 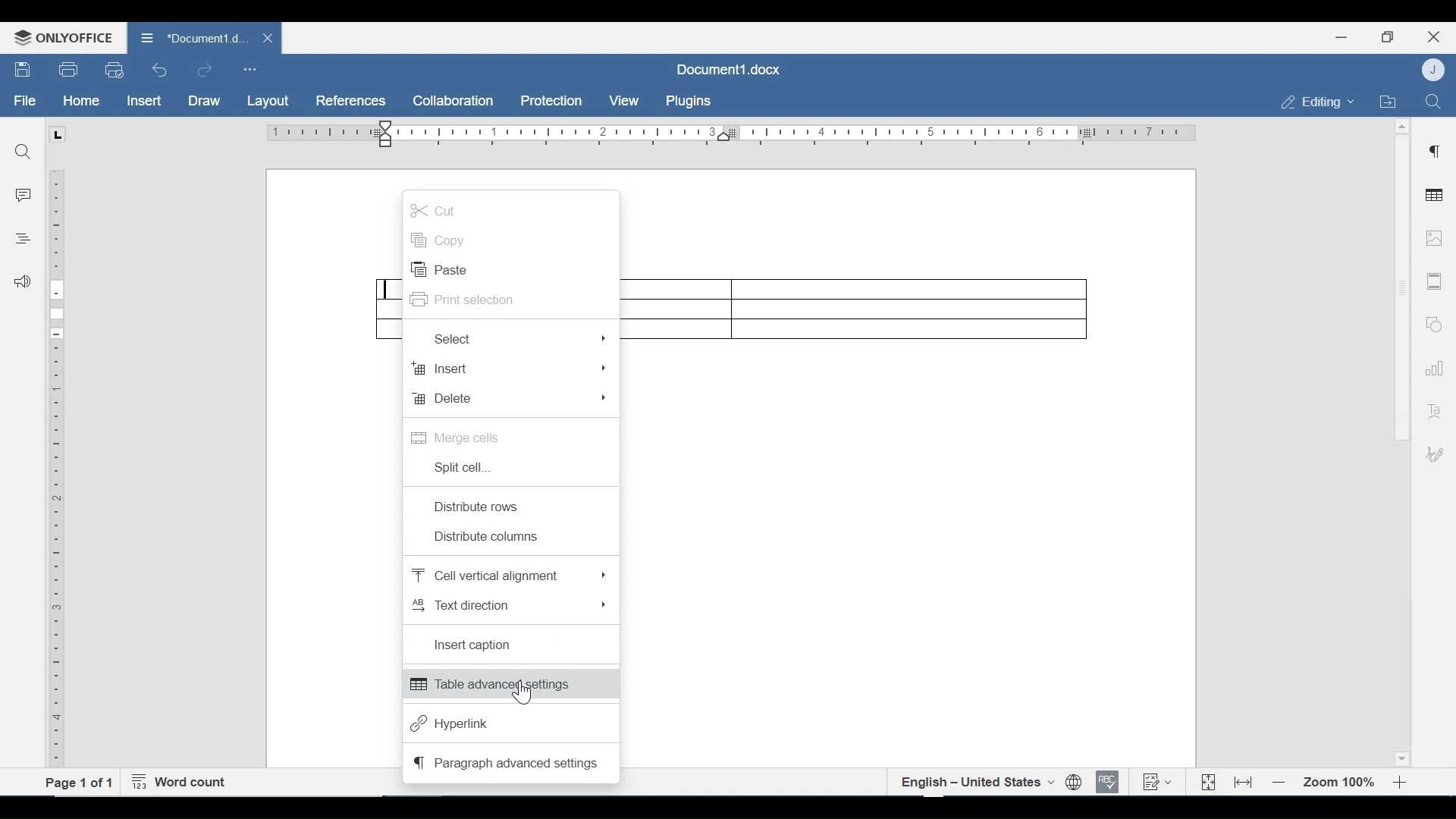 What do you see at coordinates (449, 724) in the screenshot?
I see `Hyperlink` at bounding box center [449, 724].